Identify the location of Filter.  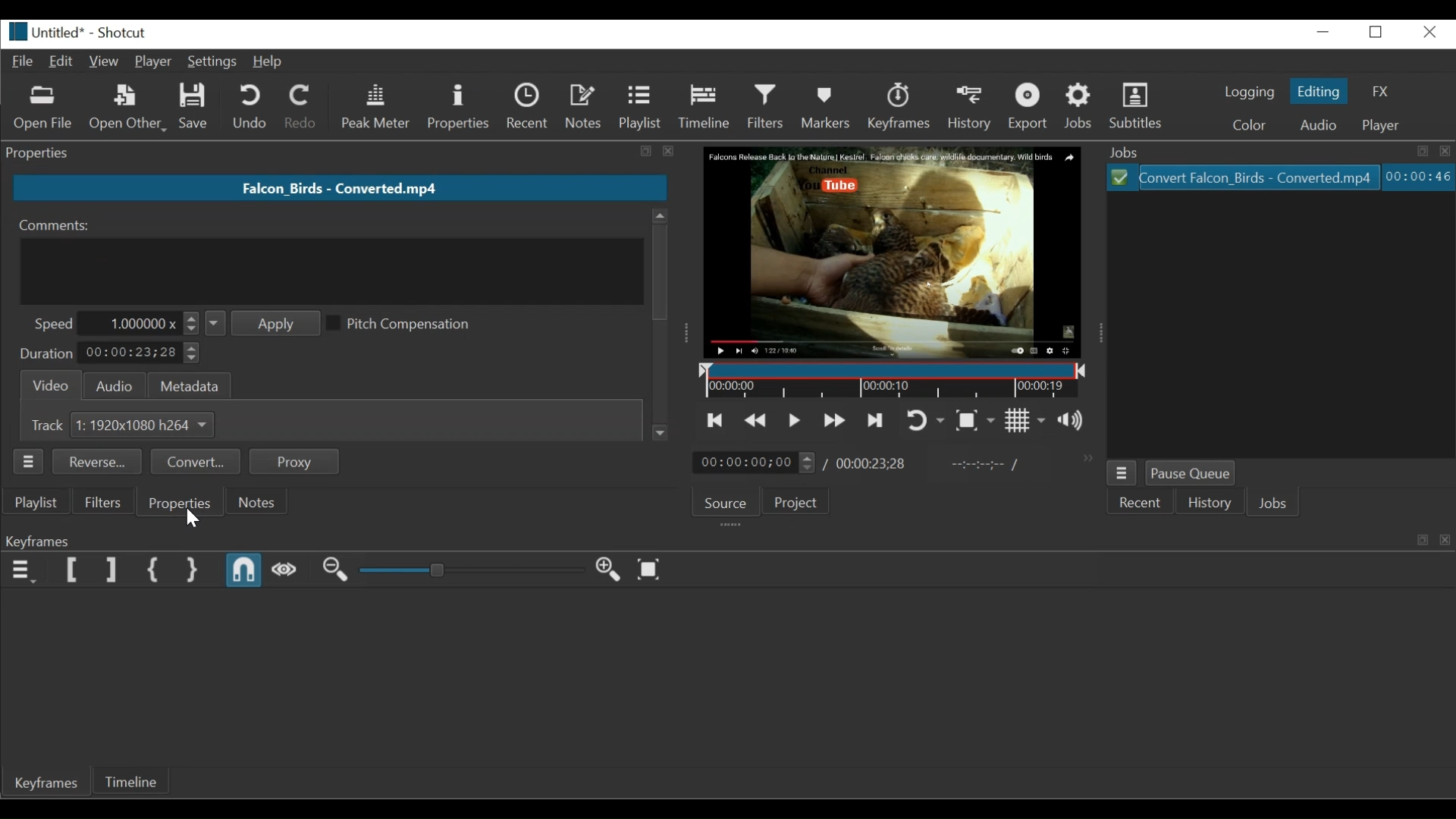
(767, 108).